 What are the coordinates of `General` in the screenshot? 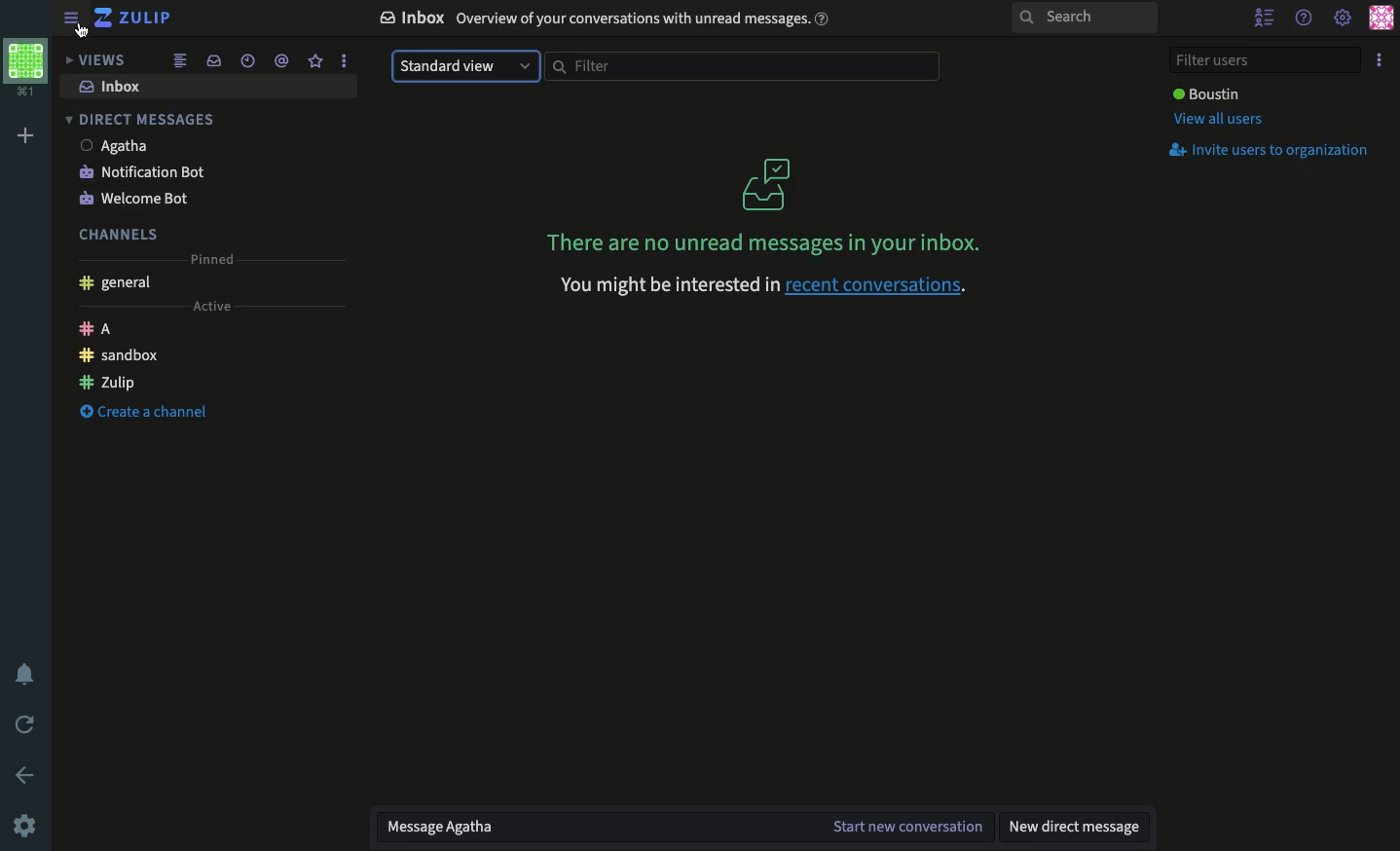 It's located at (116, 284).